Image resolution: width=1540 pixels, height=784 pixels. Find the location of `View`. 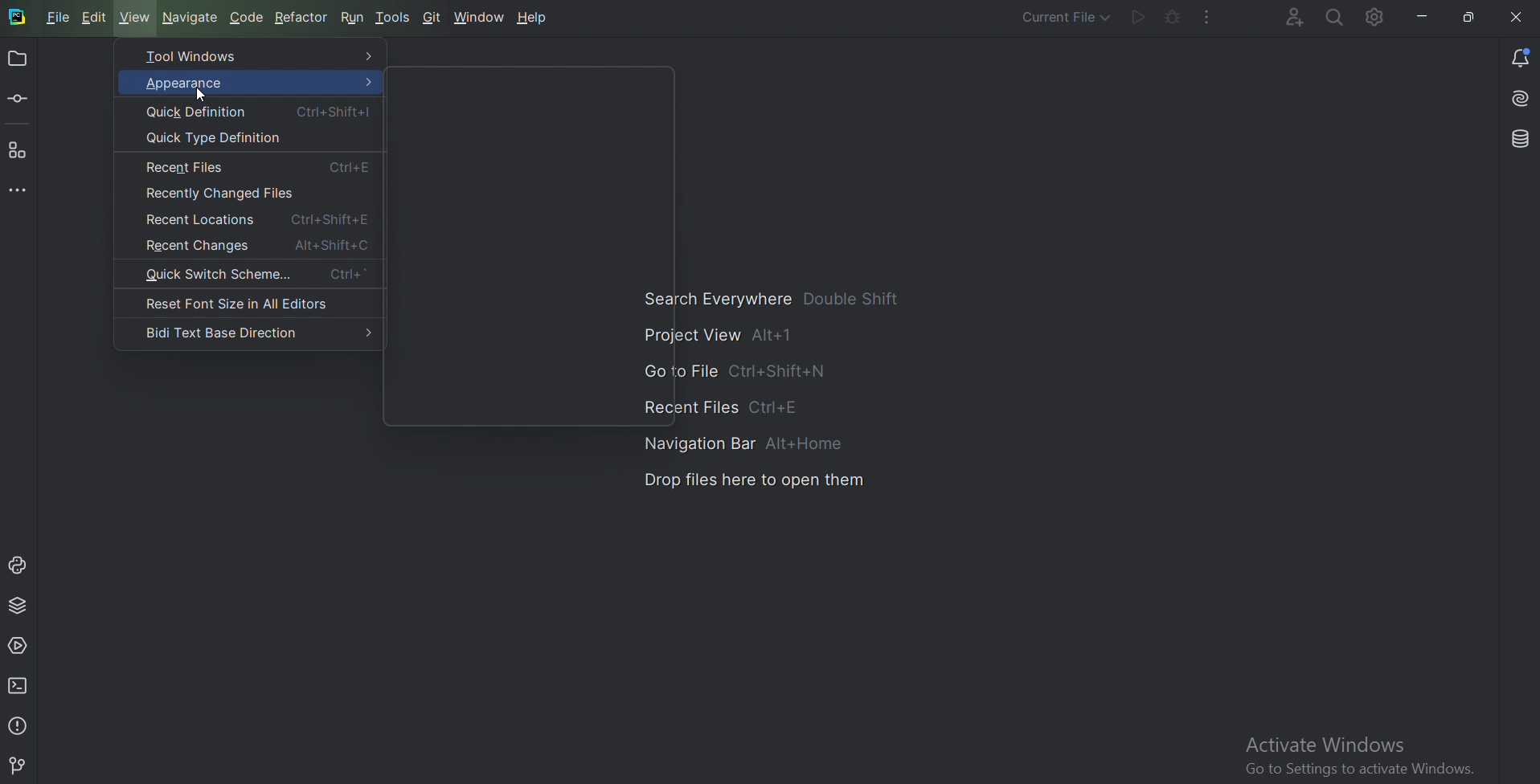

View is located at coordinates (134, 17).